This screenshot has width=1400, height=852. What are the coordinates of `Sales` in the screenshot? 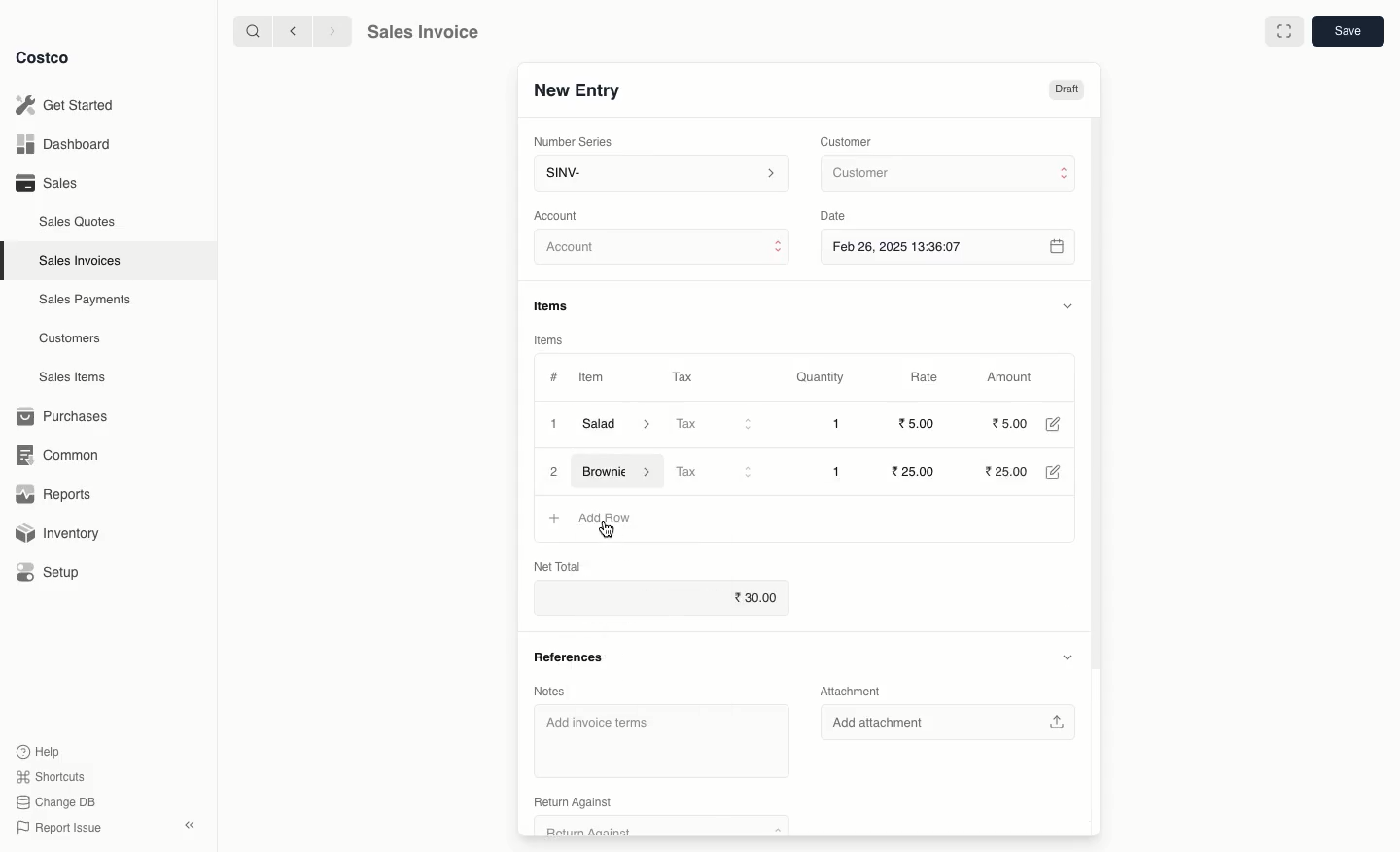 It's located at (46, 183).